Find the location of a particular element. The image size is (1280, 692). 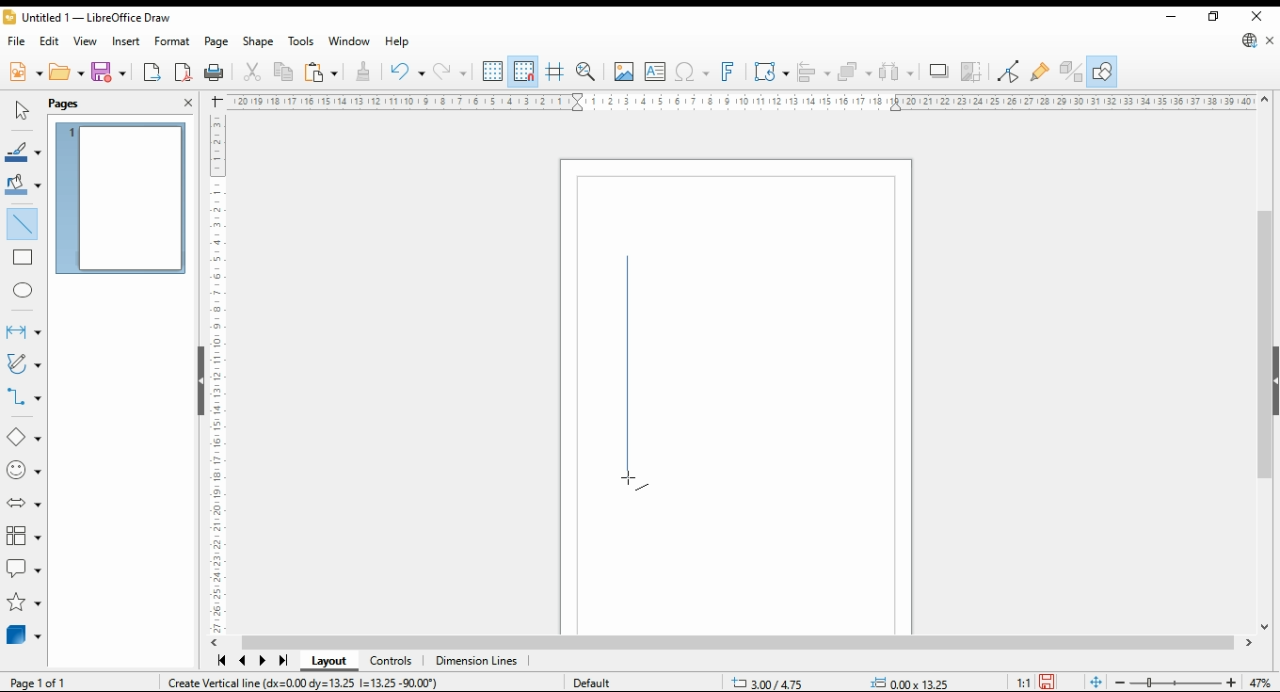

3D objects is located at coordinates (24, 636).